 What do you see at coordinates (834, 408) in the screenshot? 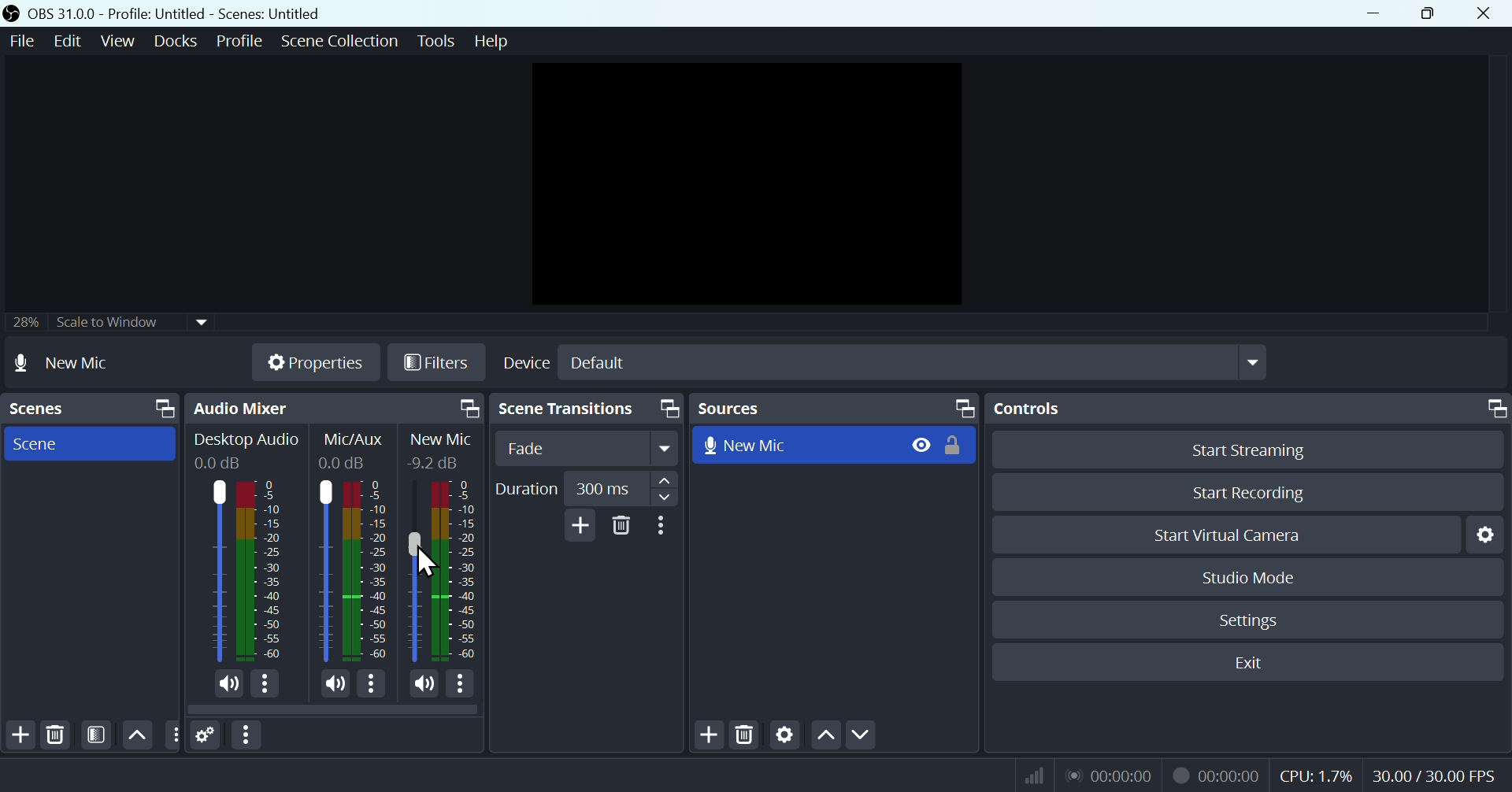
I see `Sources` at bounding box center [834, 408].